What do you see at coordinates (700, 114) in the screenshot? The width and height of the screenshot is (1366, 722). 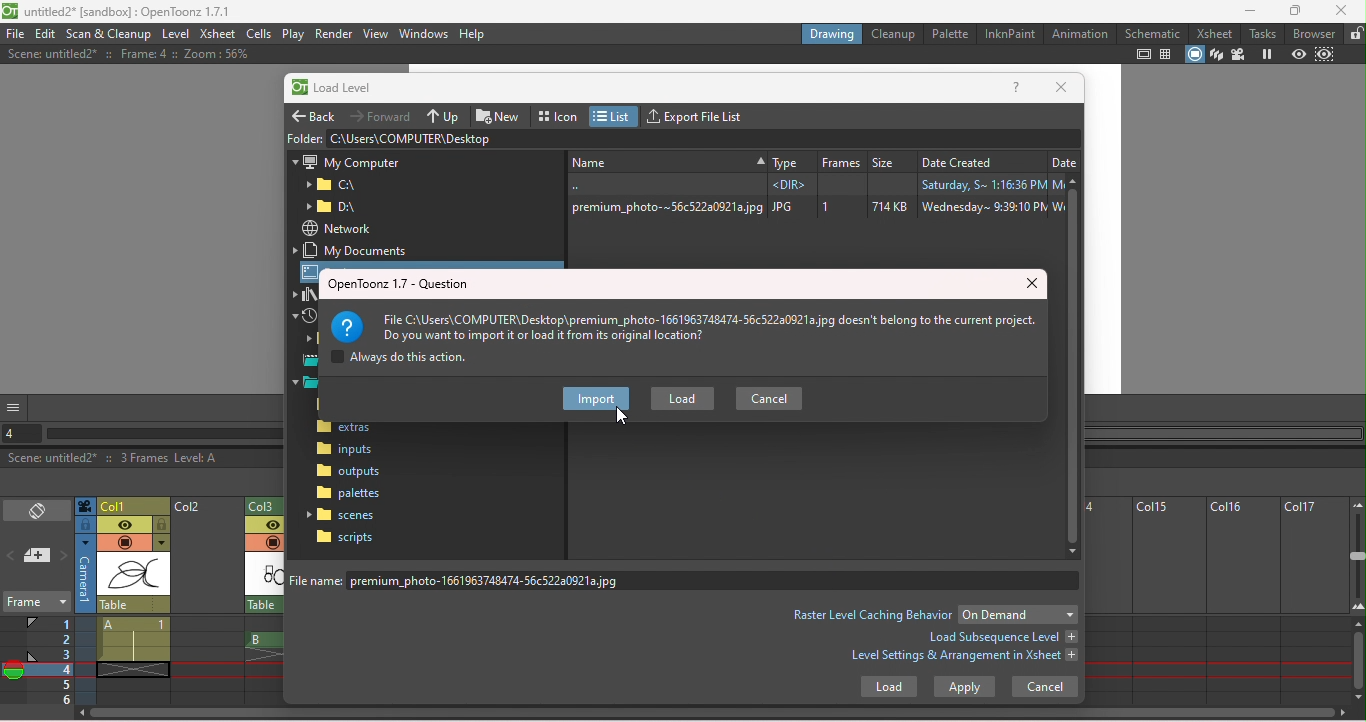 I see `Export file list` at bounding box center [700, 114].